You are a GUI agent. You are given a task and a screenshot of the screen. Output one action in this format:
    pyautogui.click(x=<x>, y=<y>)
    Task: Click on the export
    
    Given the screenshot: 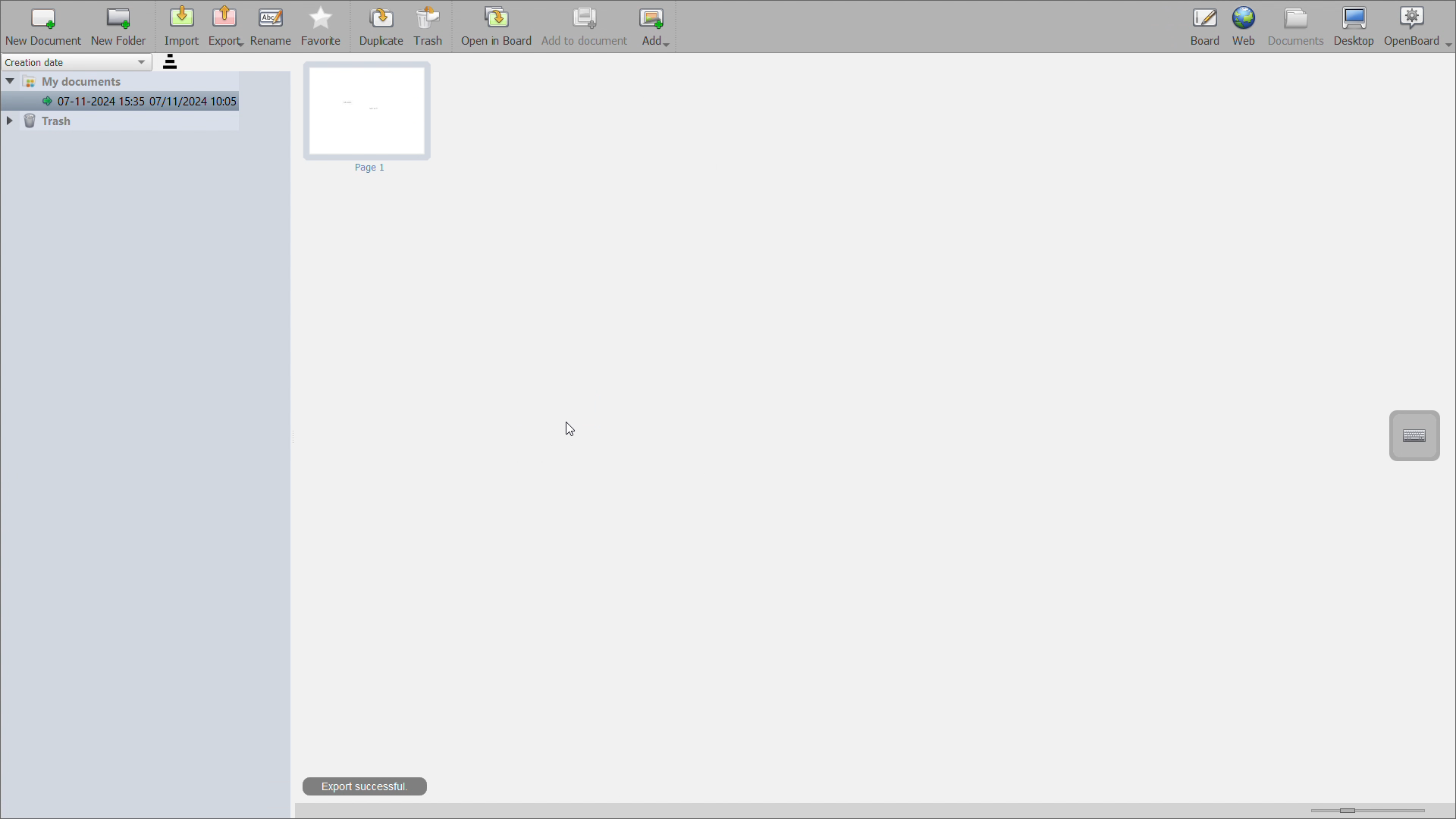 What is the action you would take?
    pyautogui.click(x=225, y=27)
    